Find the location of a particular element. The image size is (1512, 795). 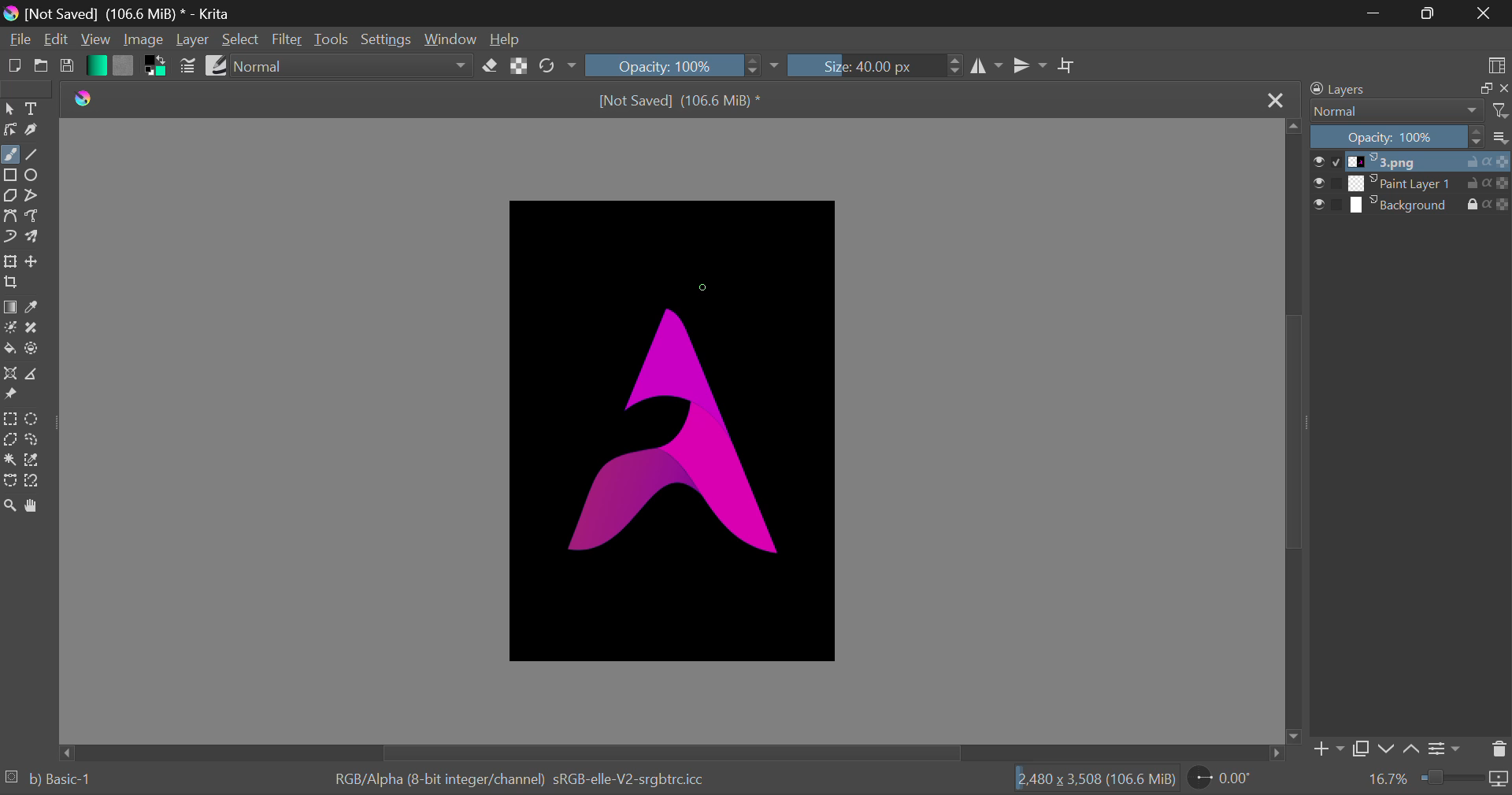

Polygon Selection is located at coordinates (10, 441).